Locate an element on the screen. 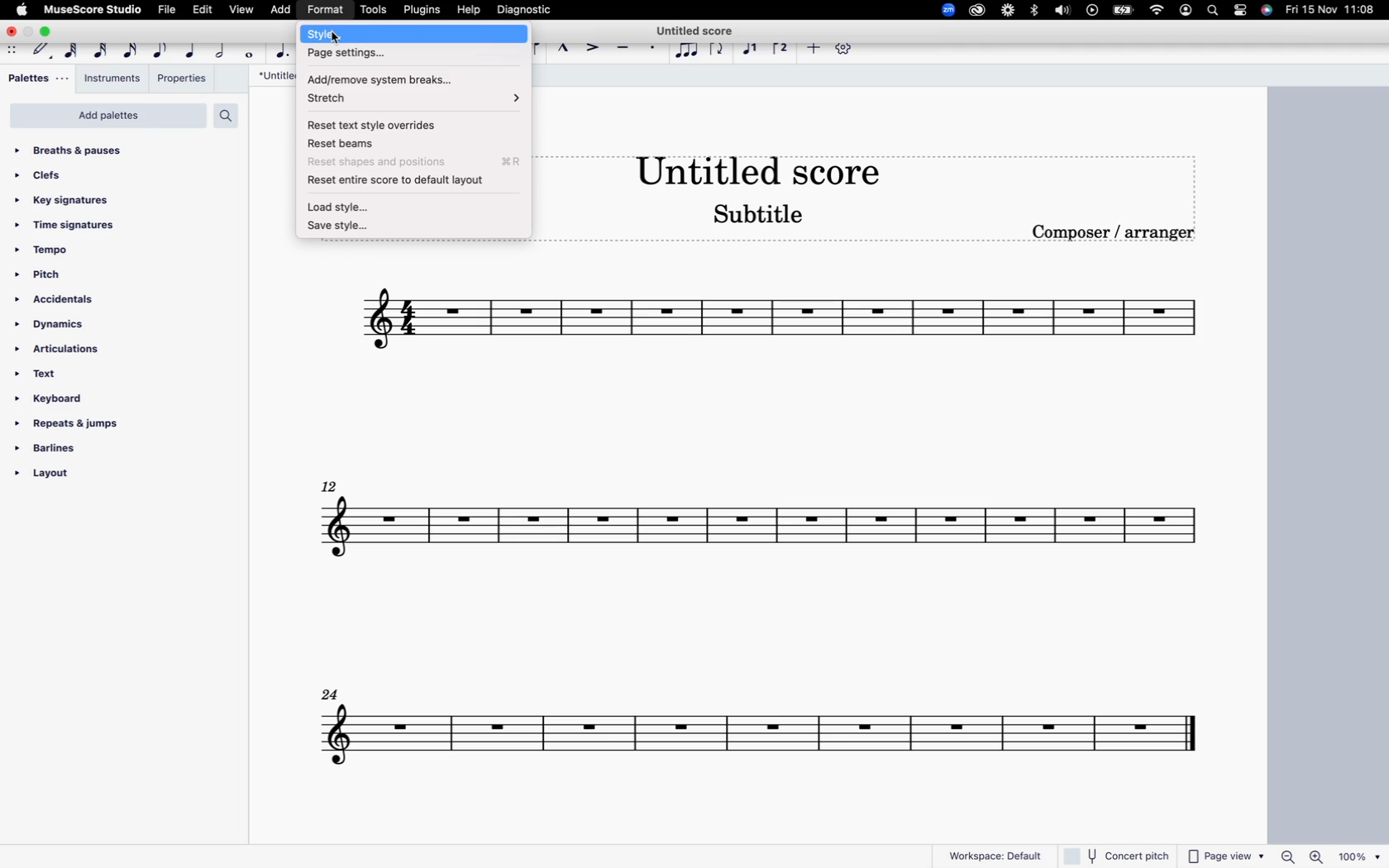  composer / arranger is located at coordinates (1110, 237).